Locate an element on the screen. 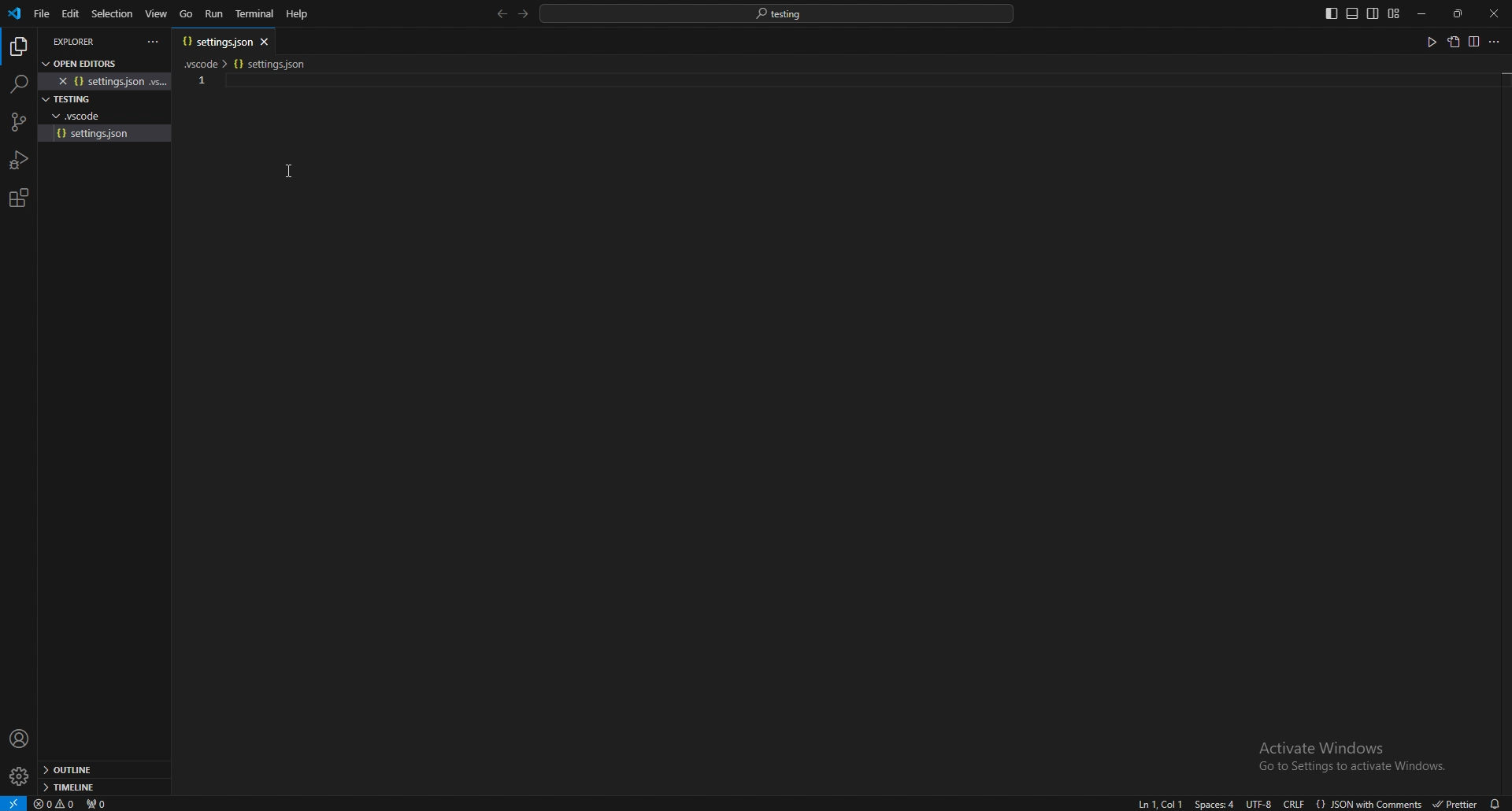 The height and width of the screenshot is (811, 1512). file is located at coordinates (107, 133).